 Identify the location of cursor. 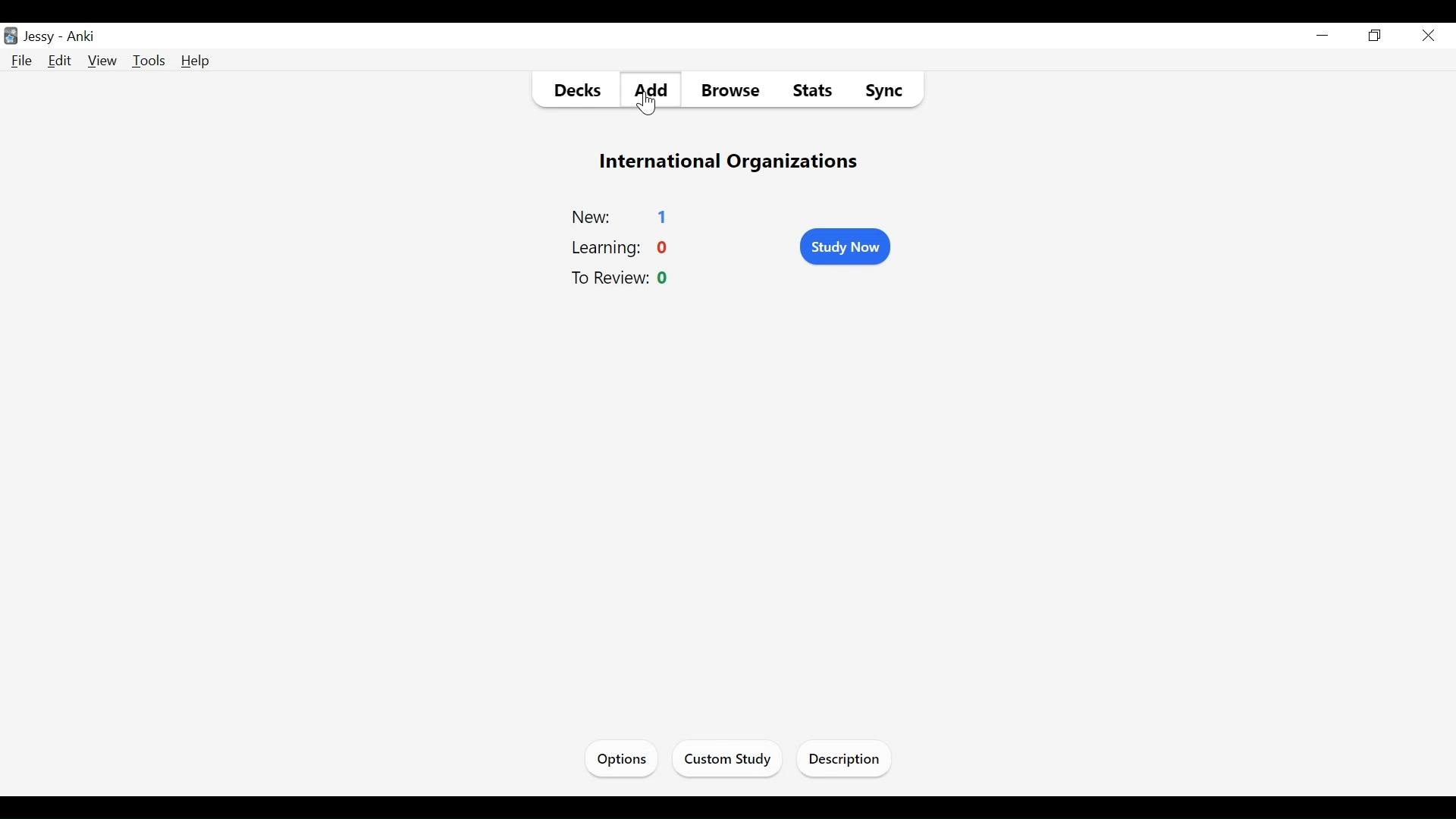
(649, 111).